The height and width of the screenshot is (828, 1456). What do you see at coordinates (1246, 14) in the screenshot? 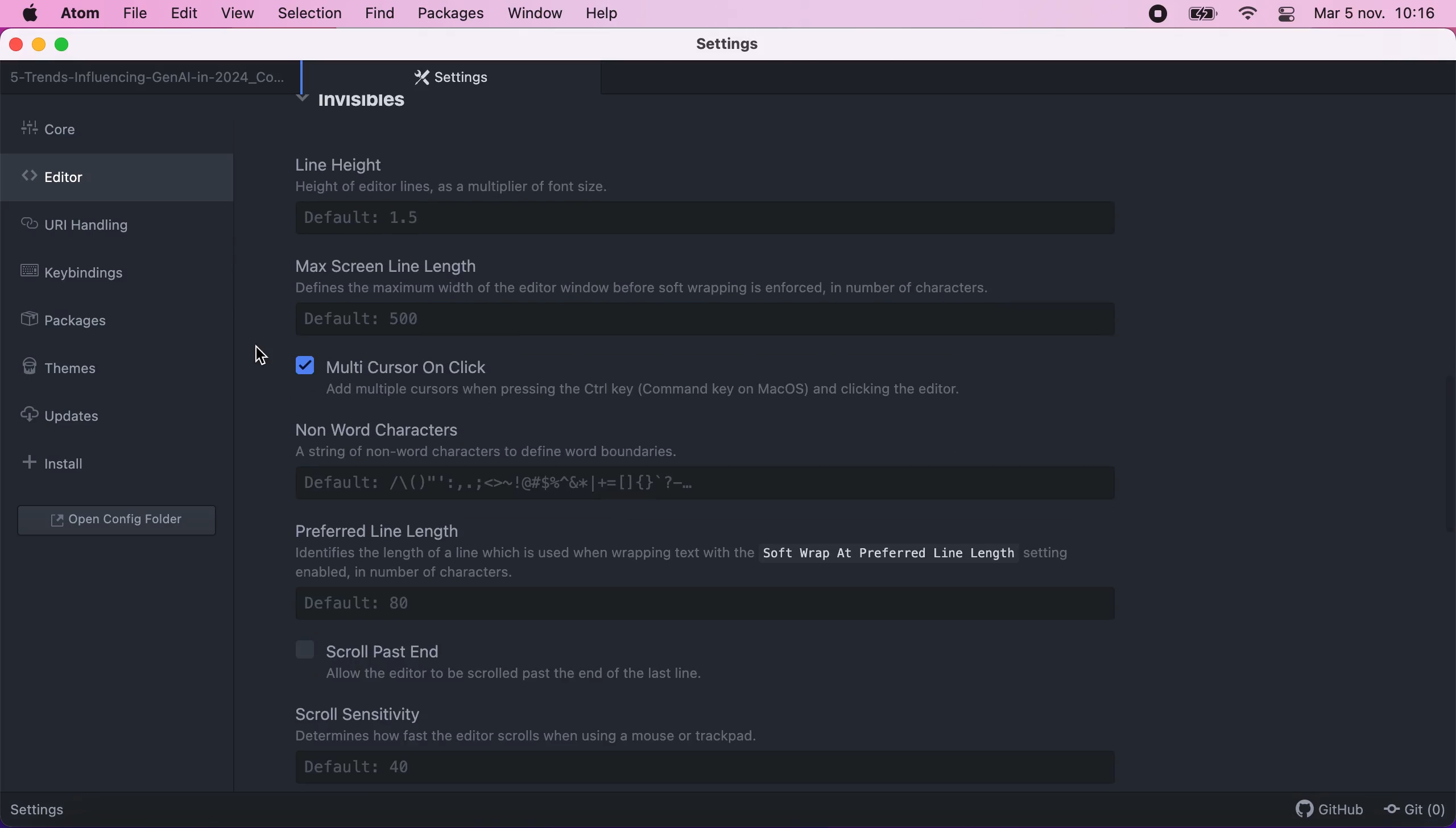
I see `wifi` at bounding box center [1246, 14].